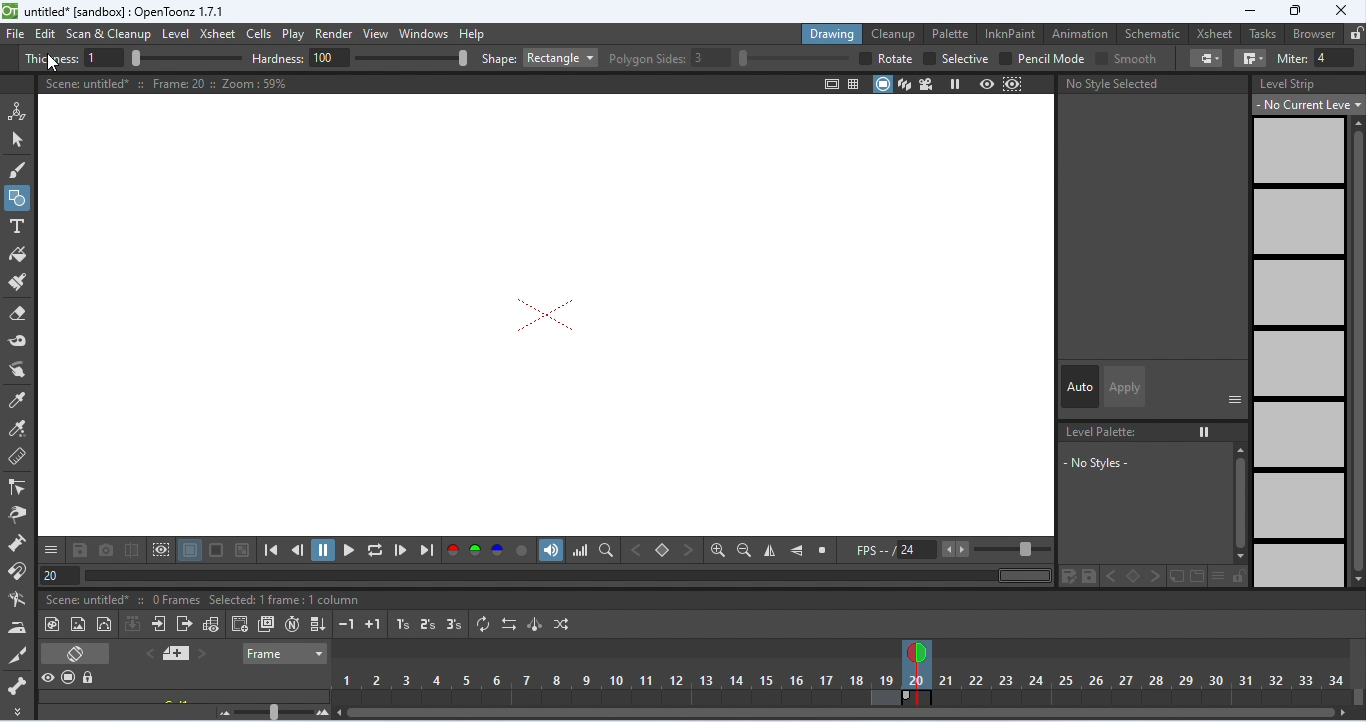 The image size is (1366, 722). What do you see at coordinates (1204, 432) in the screenshot?
I see `freeze` at bounding box center [1204, 432].